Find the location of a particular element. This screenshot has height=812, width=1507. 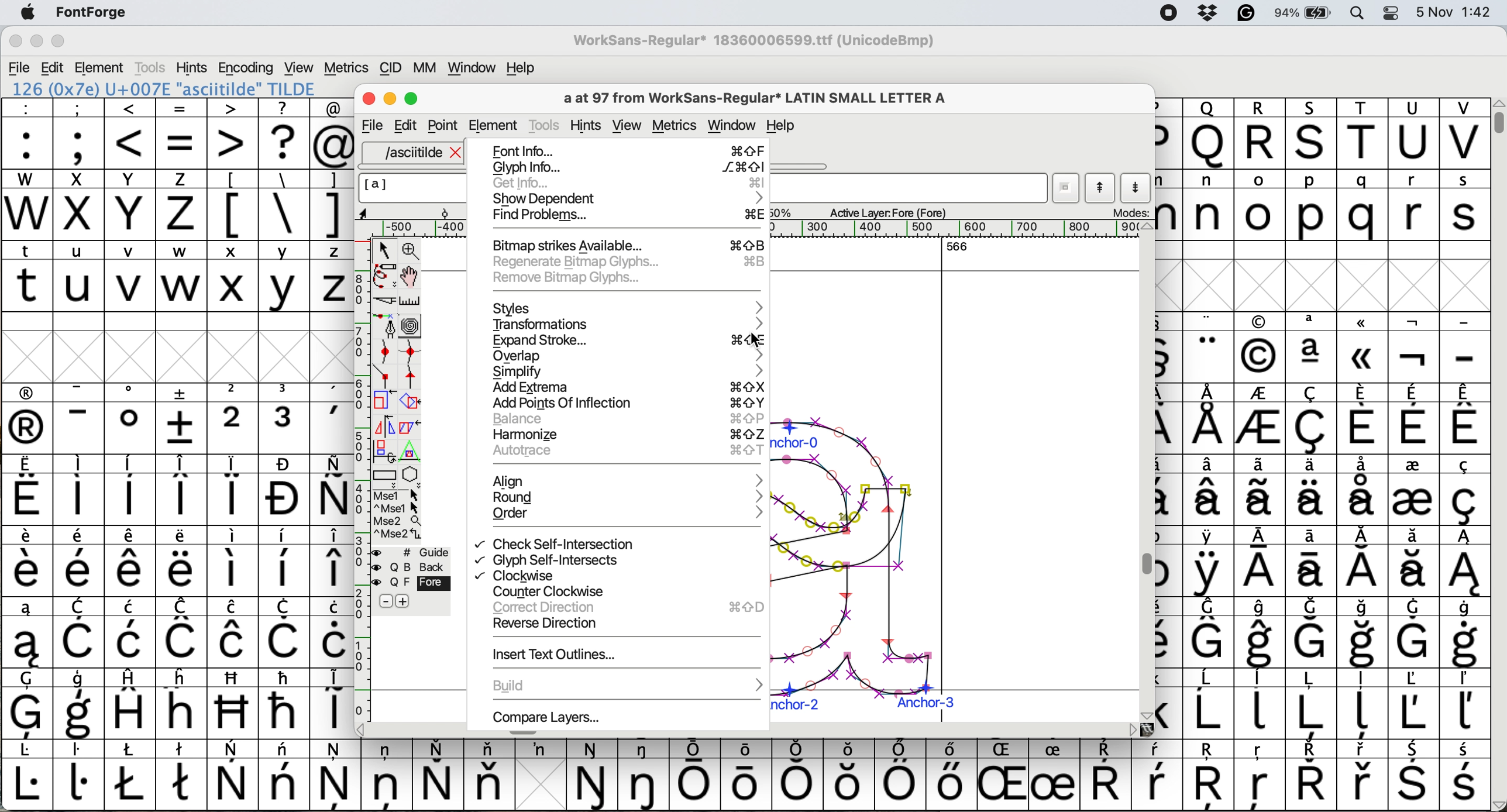

t is located at coordinates (27, 275).